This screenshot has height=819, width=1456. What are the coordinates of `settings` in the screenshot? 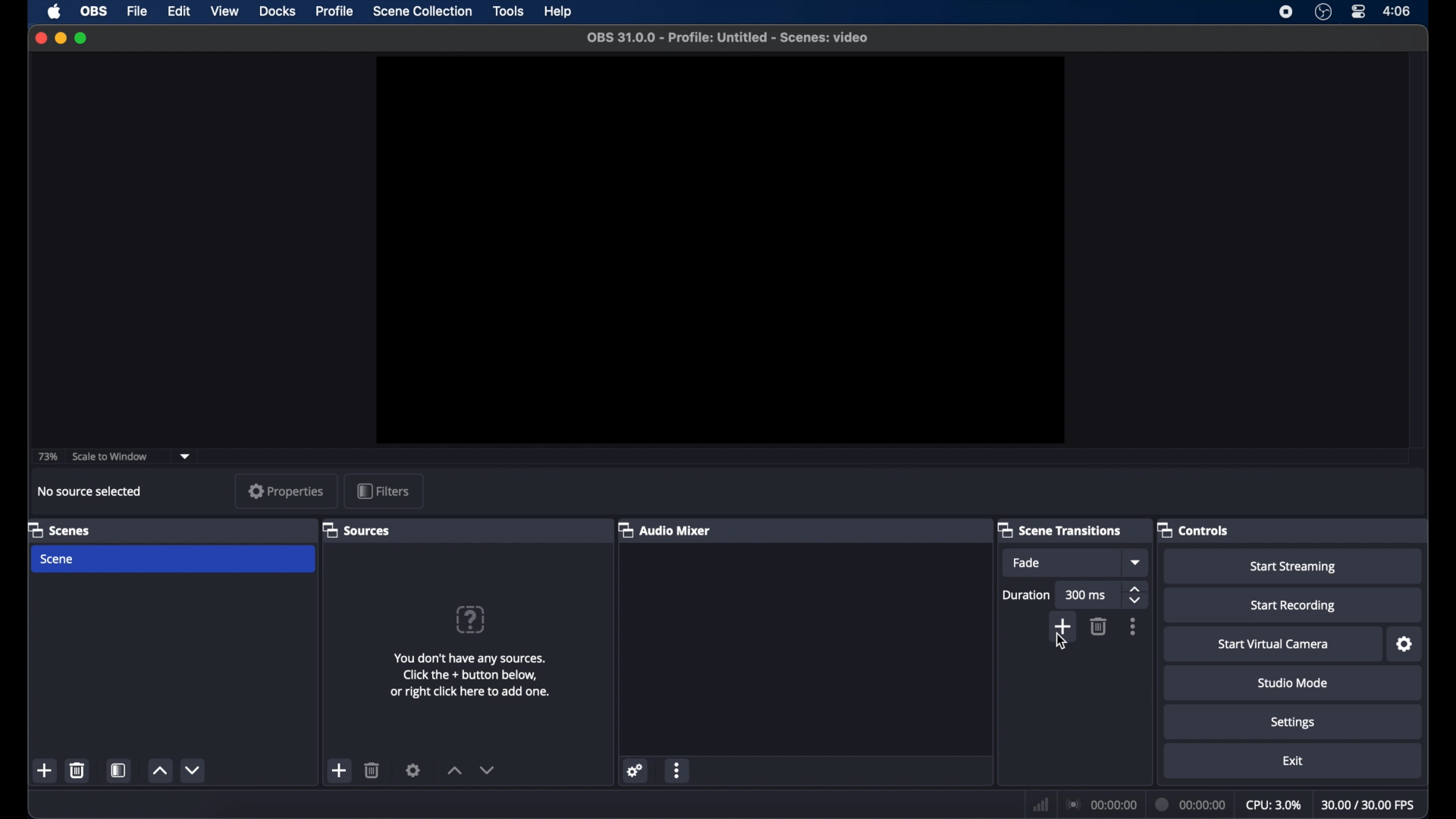 It's located at (636, 770).